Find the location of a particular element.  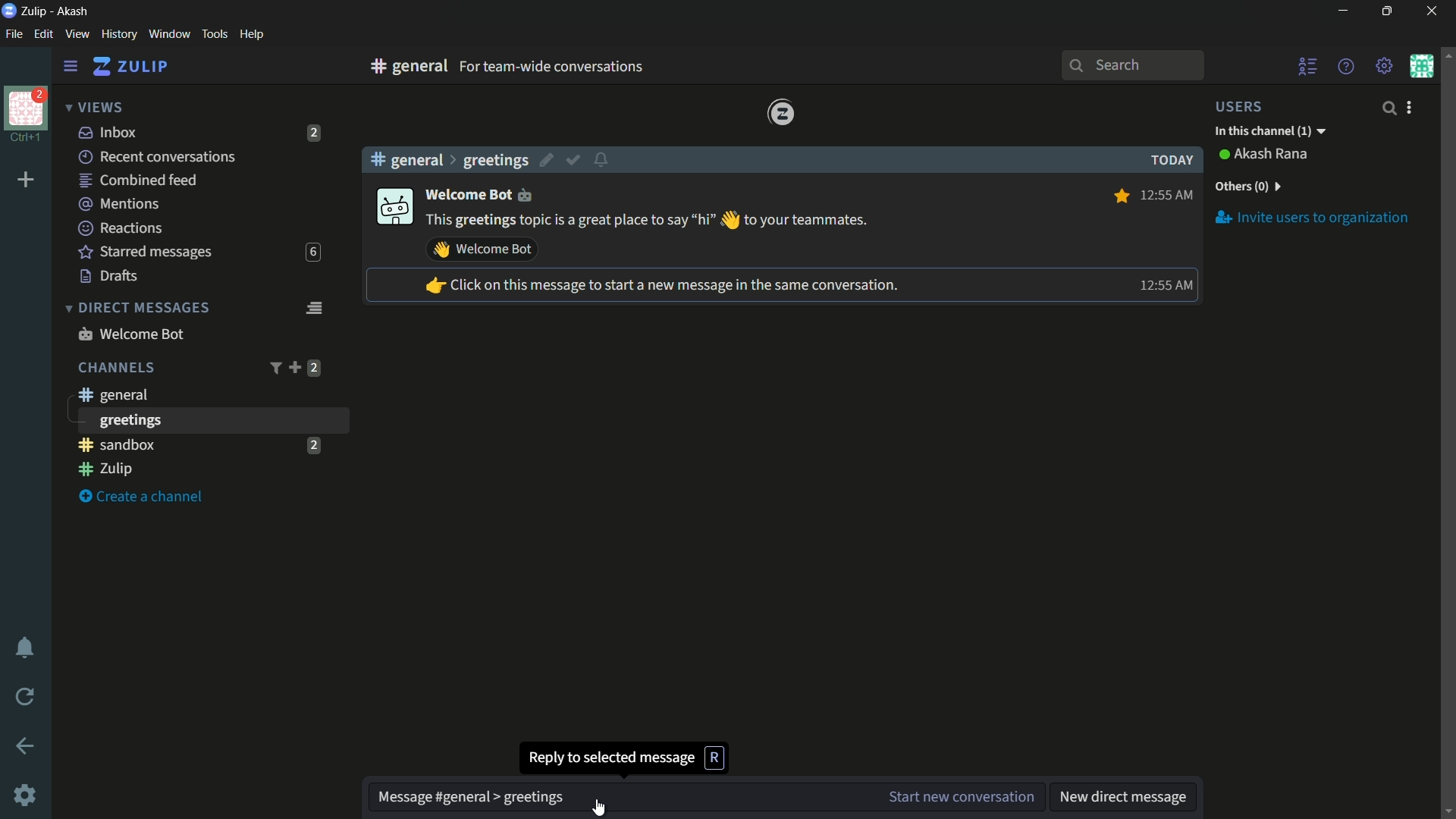

search bar is located at coordinates (1132, 65).